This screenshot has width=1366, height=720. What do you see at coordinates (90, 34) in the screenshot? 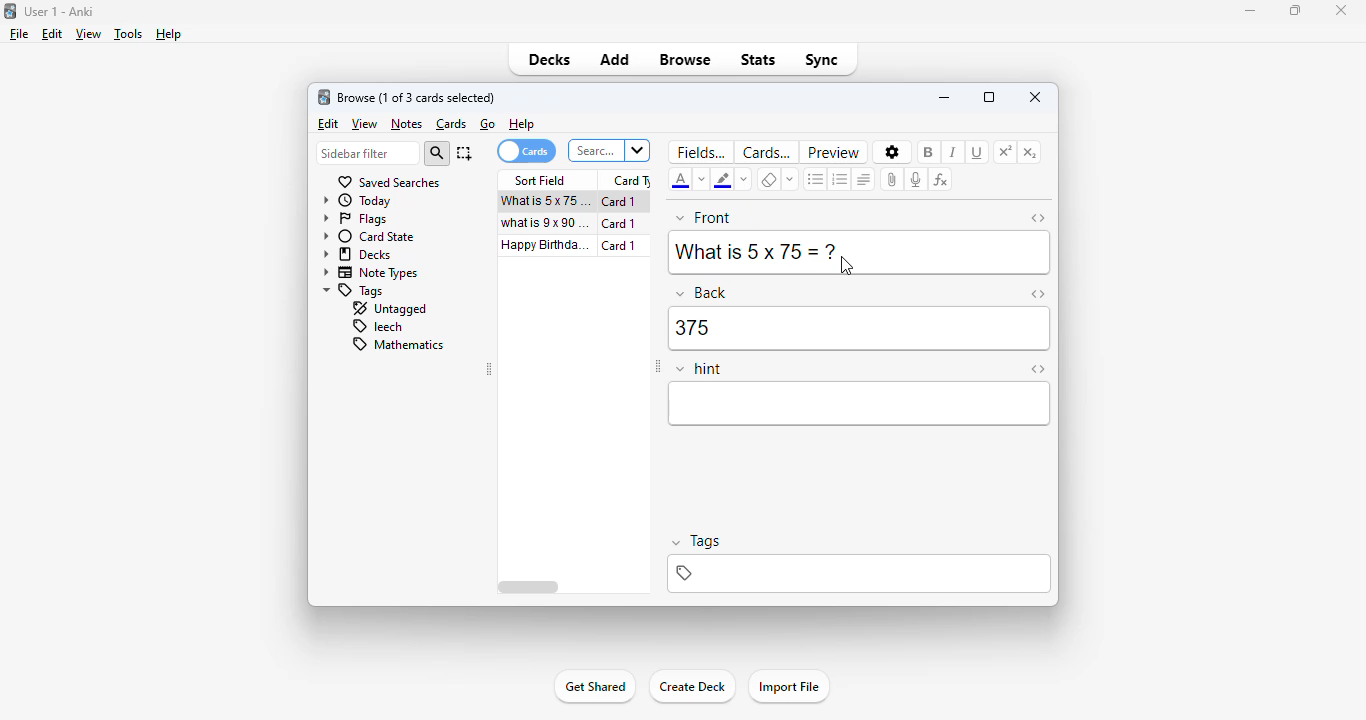
I see `view` at bounding box center [90, 34].